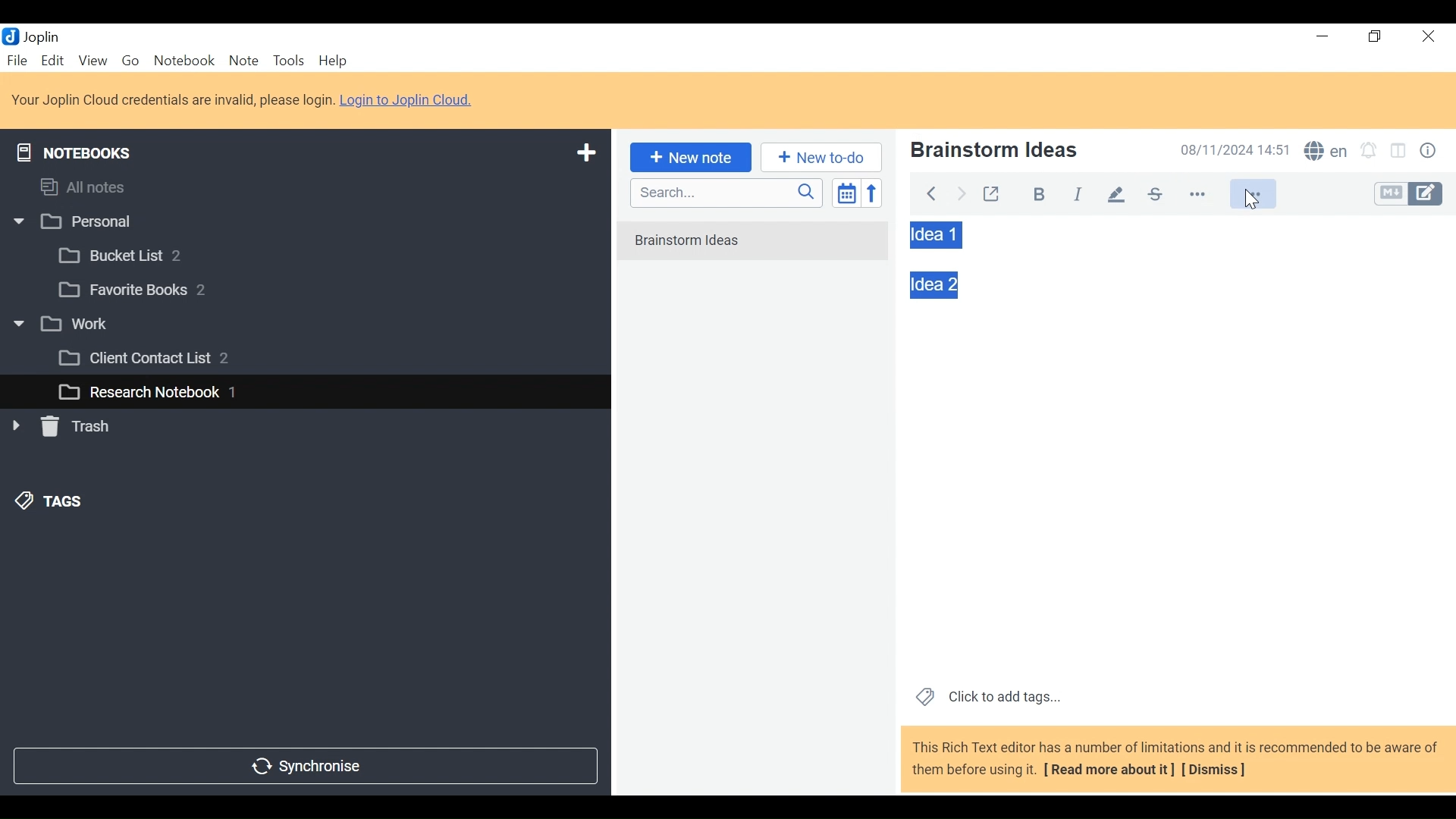 The width and height of the screenshot is (1456, 819). What do you see at coordinates (411, 100) in the screenshot?
I see `Login to Joplin Cloud` at bounding box center [411, 100].